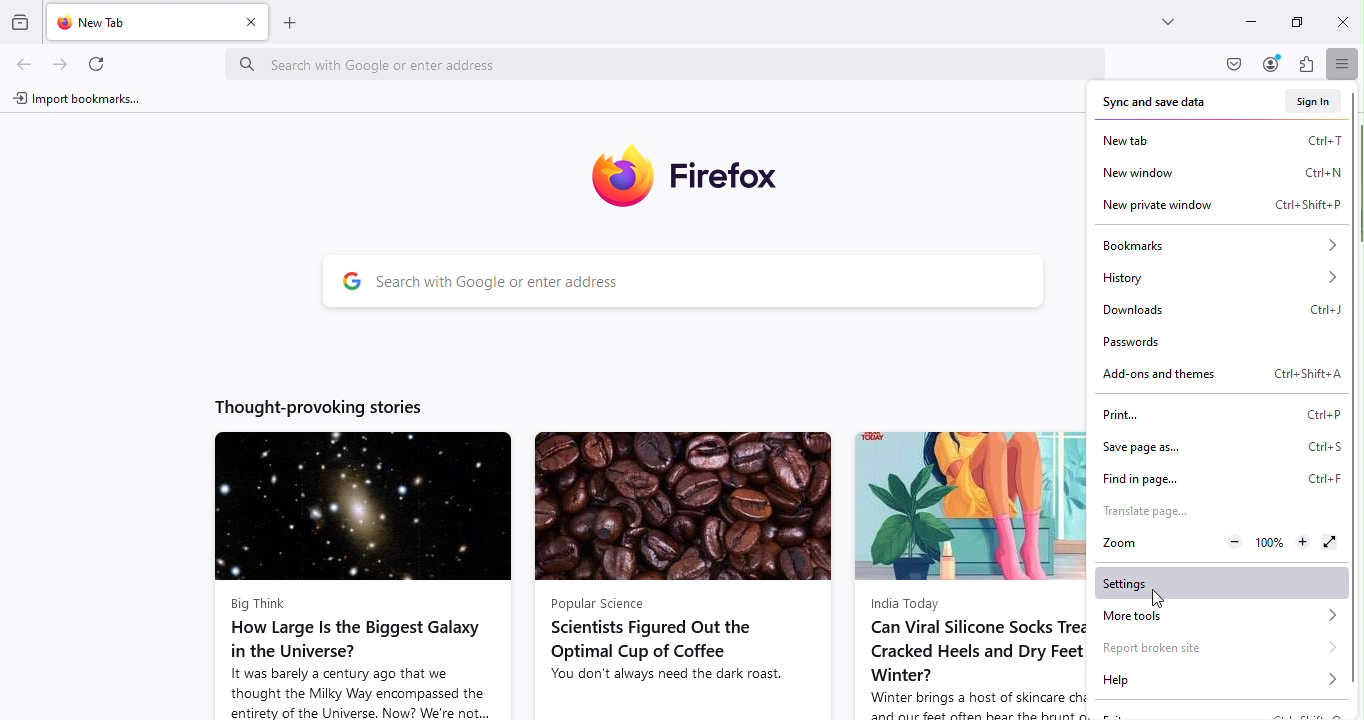 This screenshot has width=1364, height=720. I want to click on Sync and save data, so click(1146, 103).